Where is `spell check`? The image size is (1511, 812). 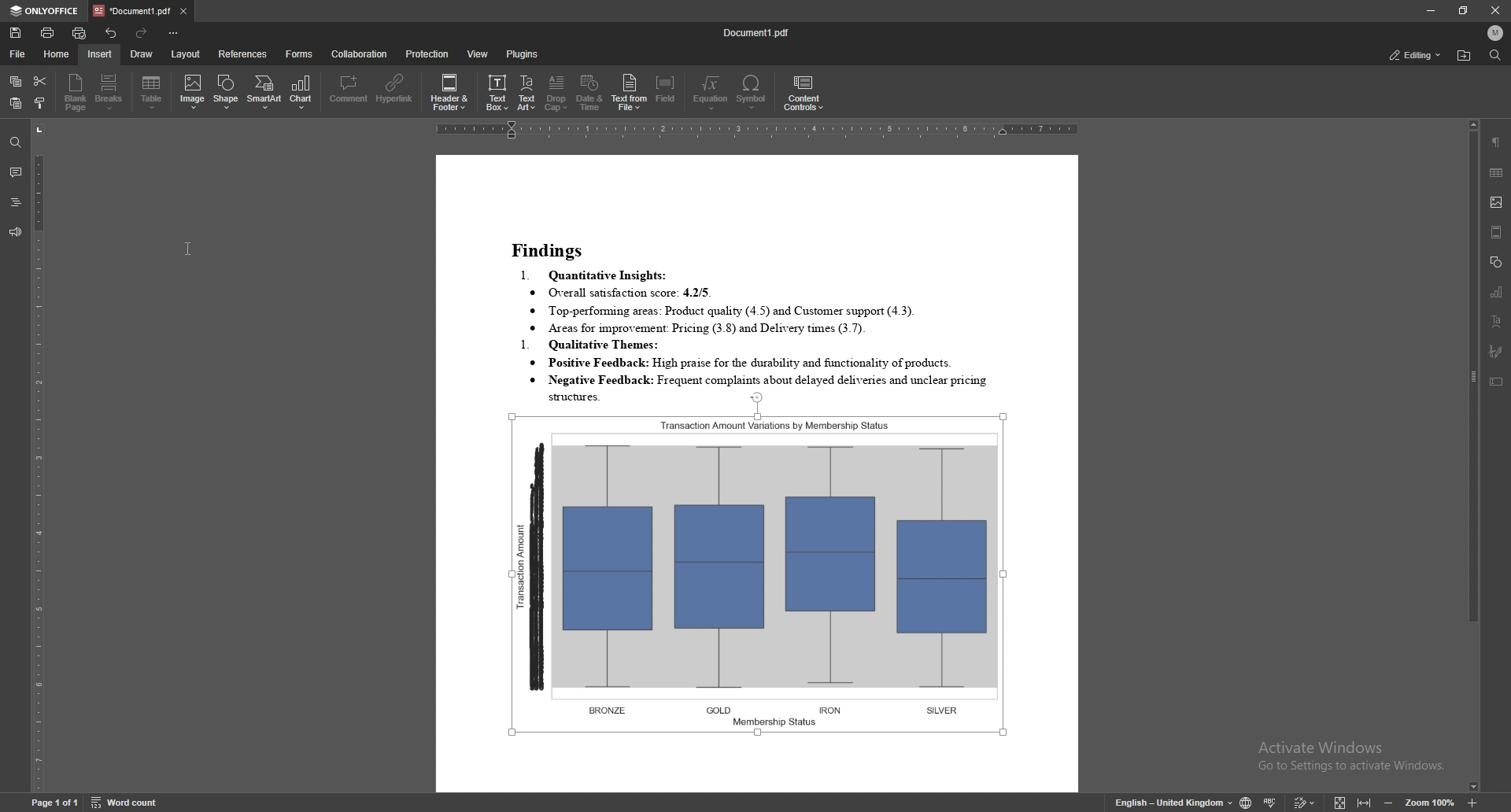
spell check is located at coordinates (1271, 803).